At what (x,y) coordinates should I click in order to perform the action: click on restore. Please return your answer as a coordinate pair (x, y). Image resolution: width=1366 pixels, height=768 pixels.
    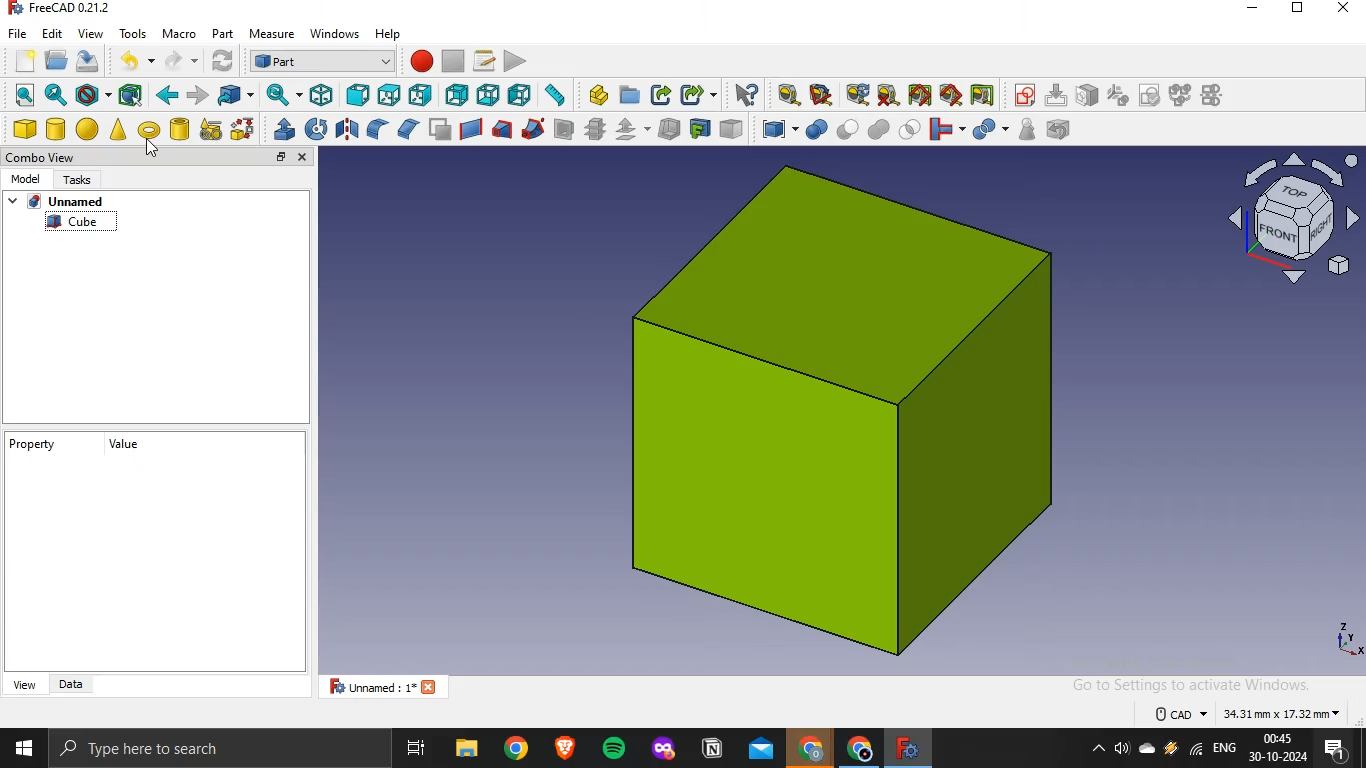
    Looking at the image, I should click on (1296, 8).